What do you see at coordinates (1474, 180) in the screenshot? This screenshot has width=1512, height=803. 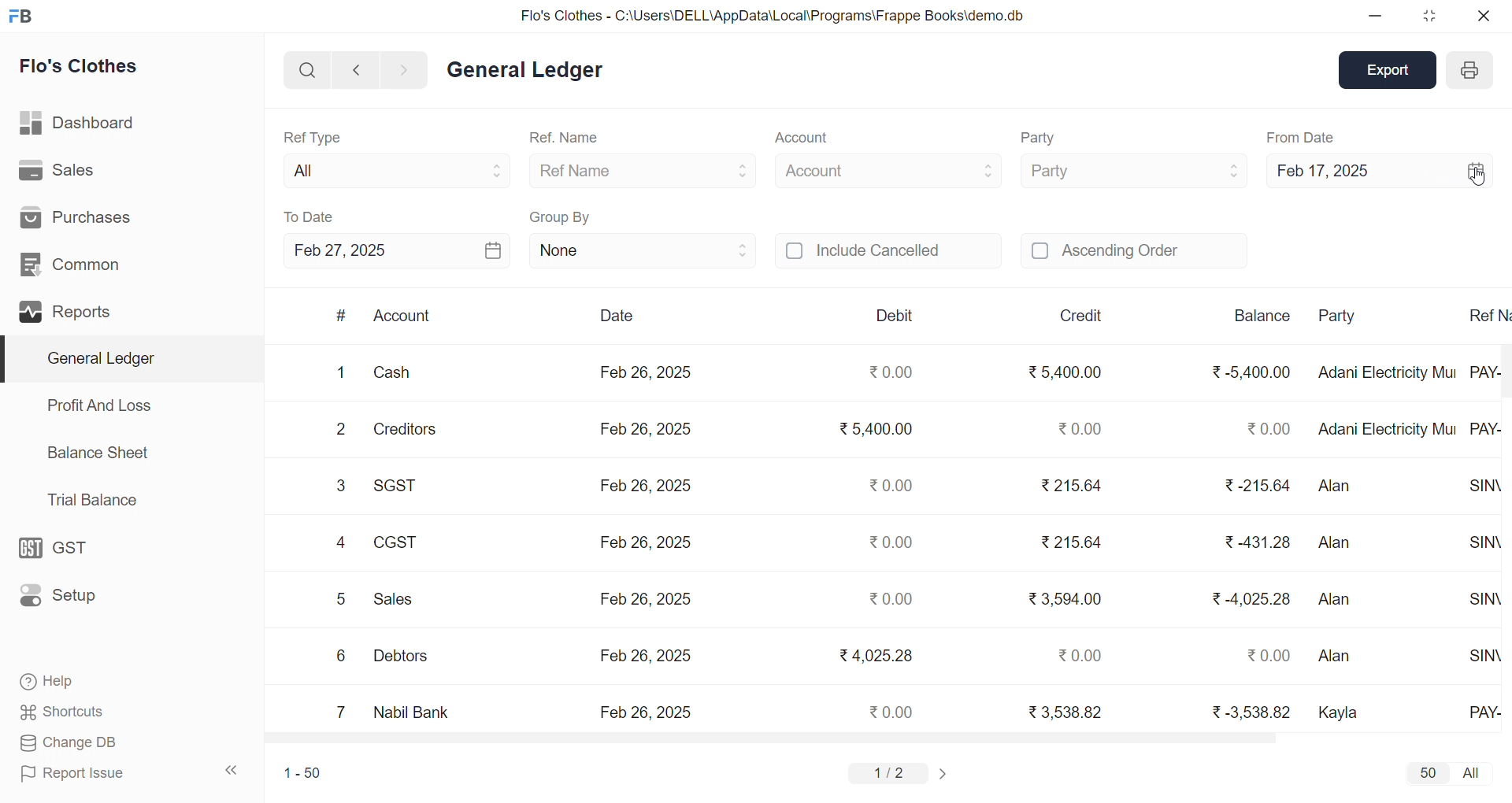 I see `CURSOR` at bounding box center [1474, 180].